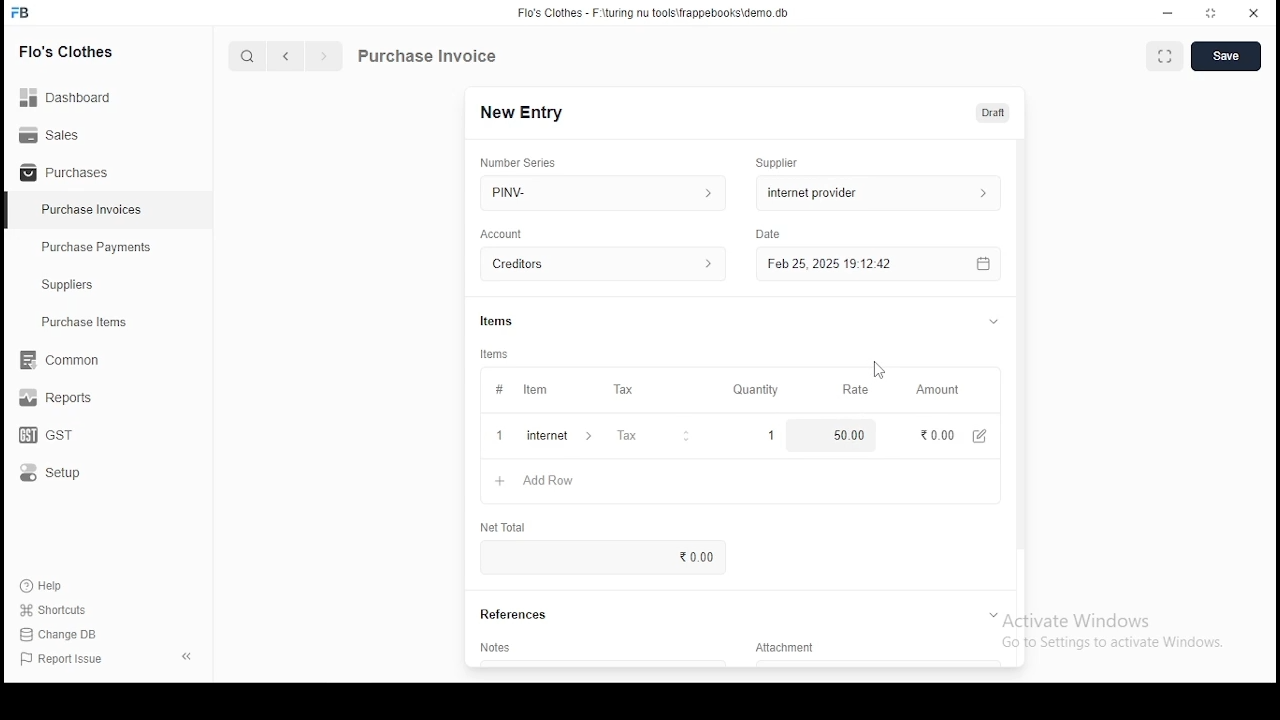  What do you see at coordinates (55, 133) in the screenshot?
I see `Sales` at bounding box center [55, 133].